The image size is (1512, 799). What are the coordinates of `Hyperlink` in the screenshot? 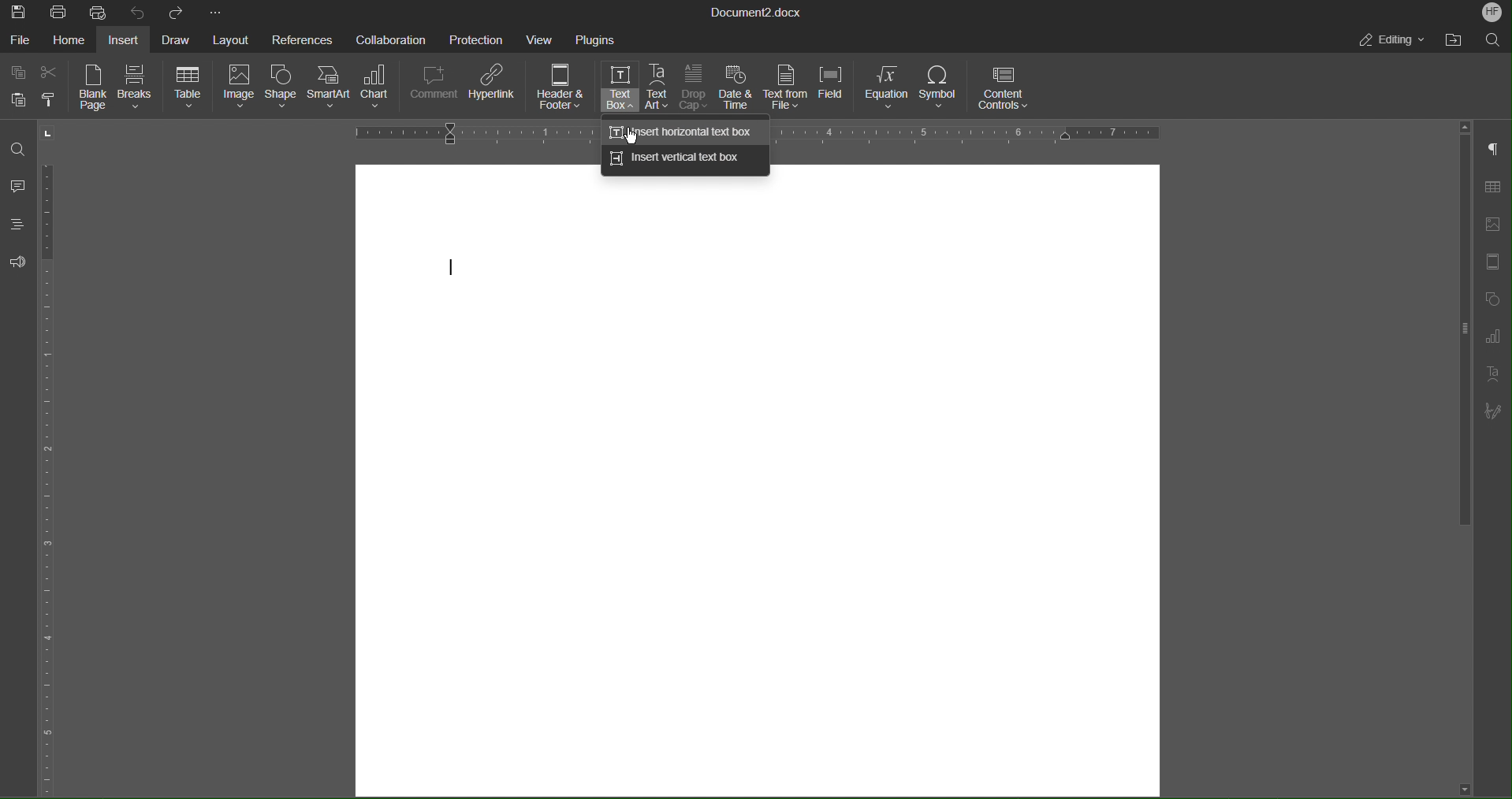 It's located at (494, 87).